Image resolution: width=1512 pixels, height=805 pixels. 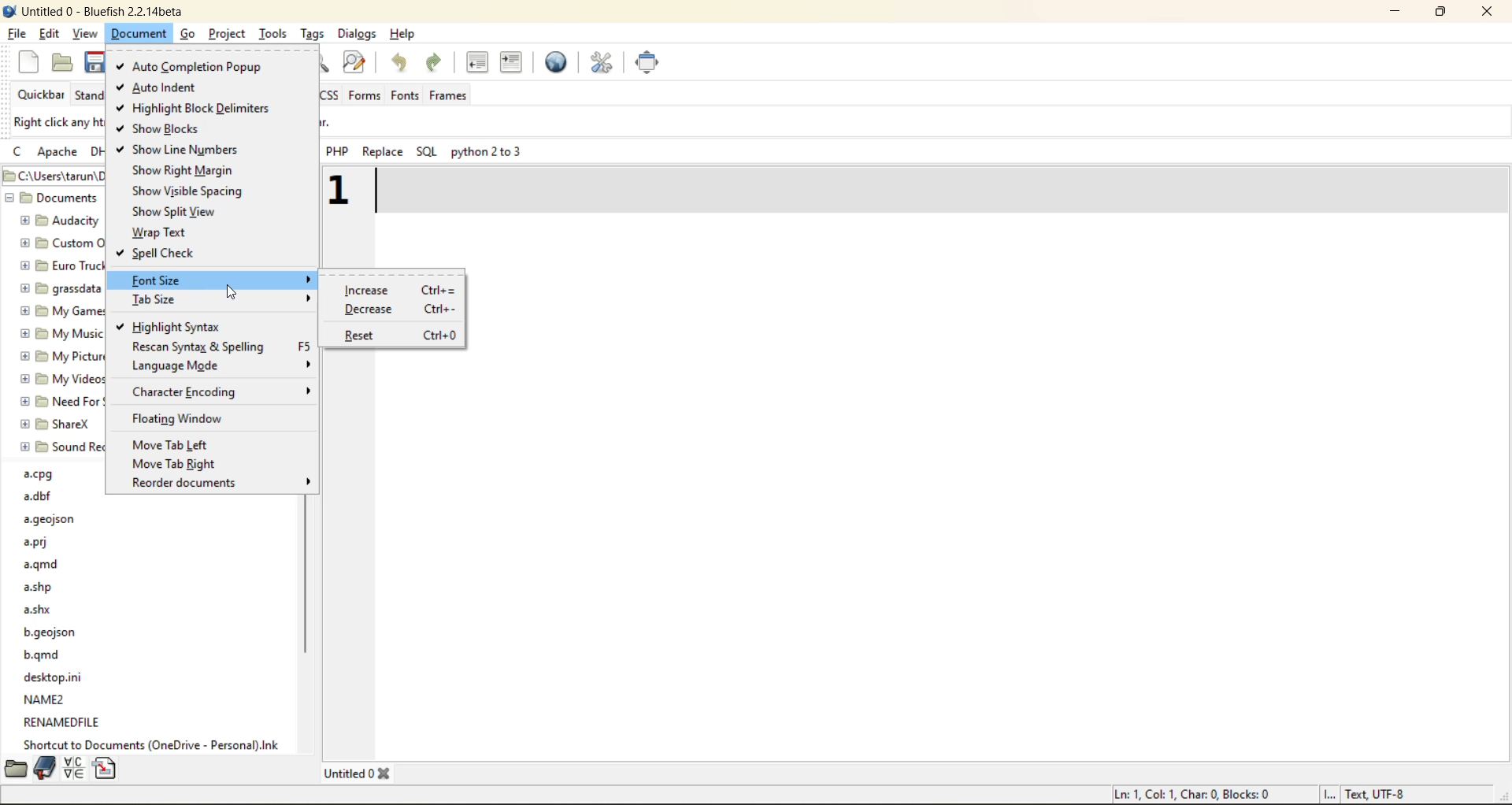 What do you see at coordinates (63, 335) in the screenshot?
I see `my music` at bounding box center [63, 335].